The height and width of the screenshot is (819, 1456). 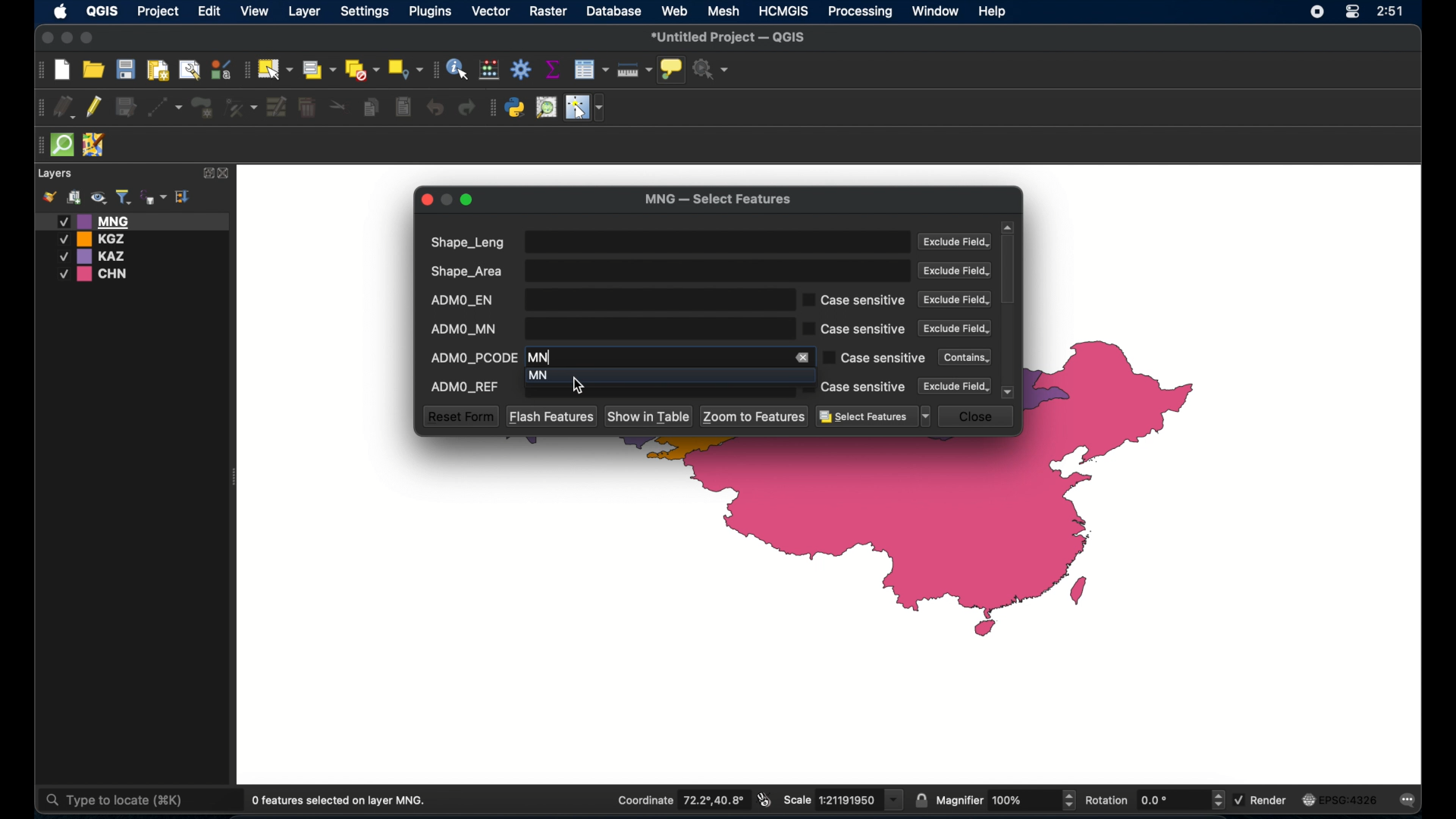 What do you see at coordinates (165, 106) in the screenshot?
I see `digitize with segment` at bounding box center [165, 106].